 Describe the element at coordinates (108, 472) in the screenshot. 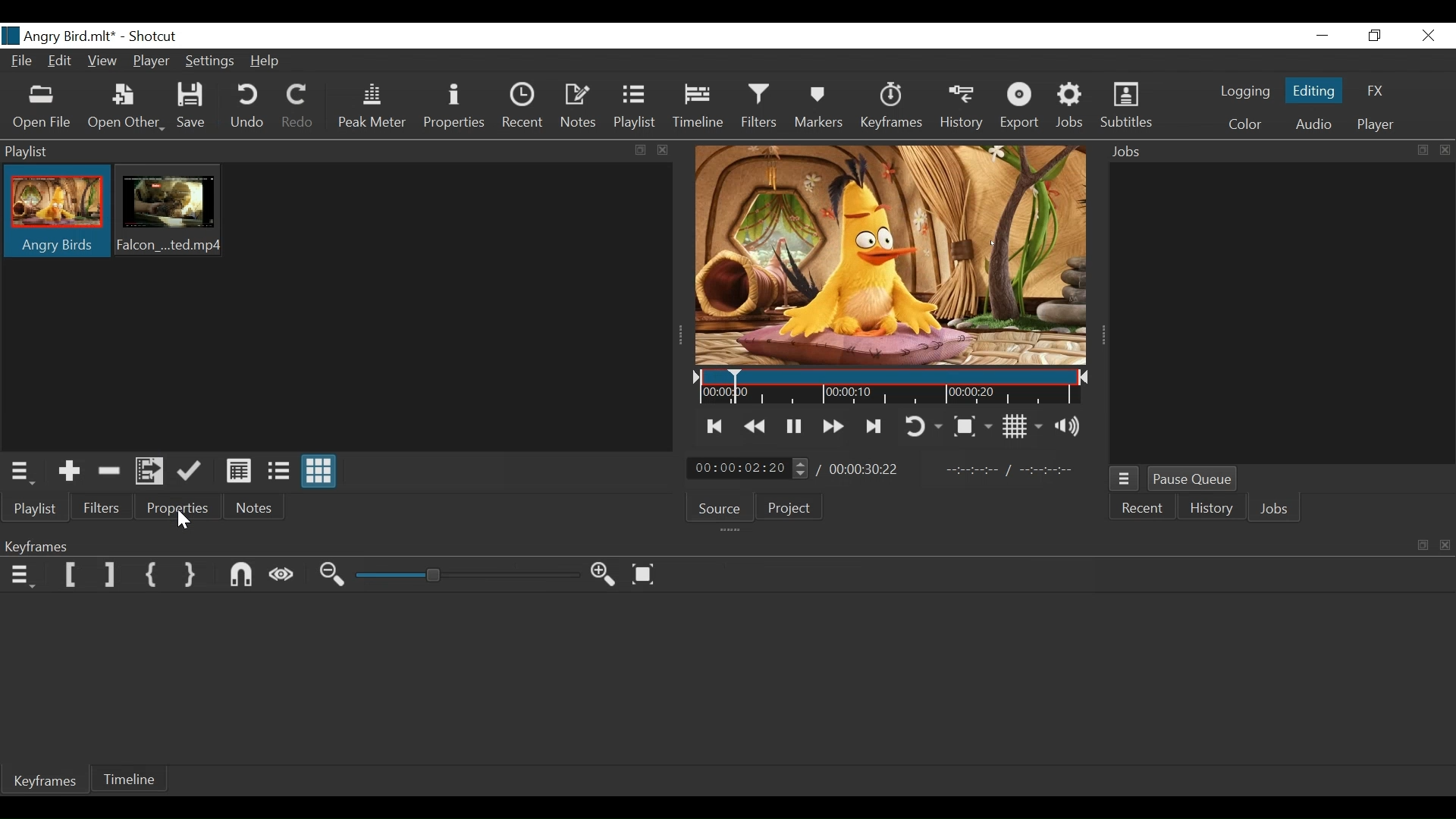

I see `Remove cut` at that location.